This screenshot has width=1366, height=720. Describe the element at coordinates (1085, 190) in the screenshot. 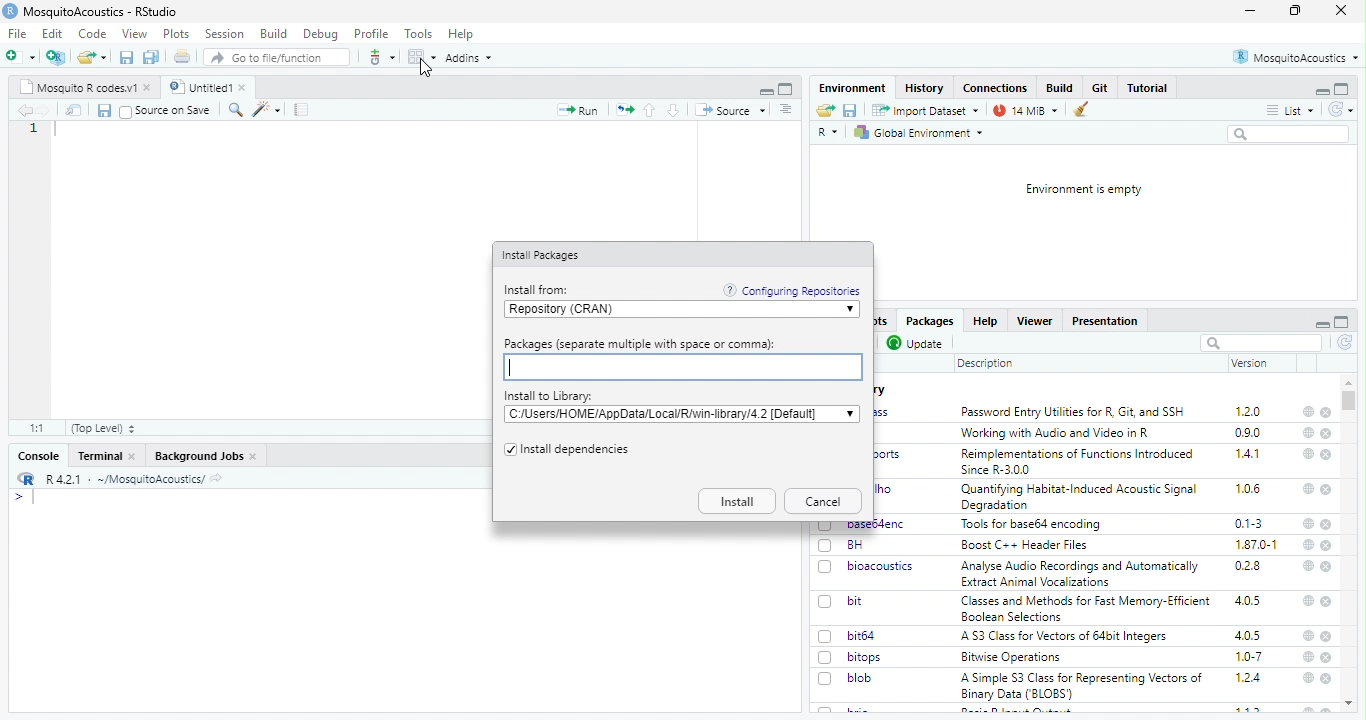

I see `Environment is empty` at that location.